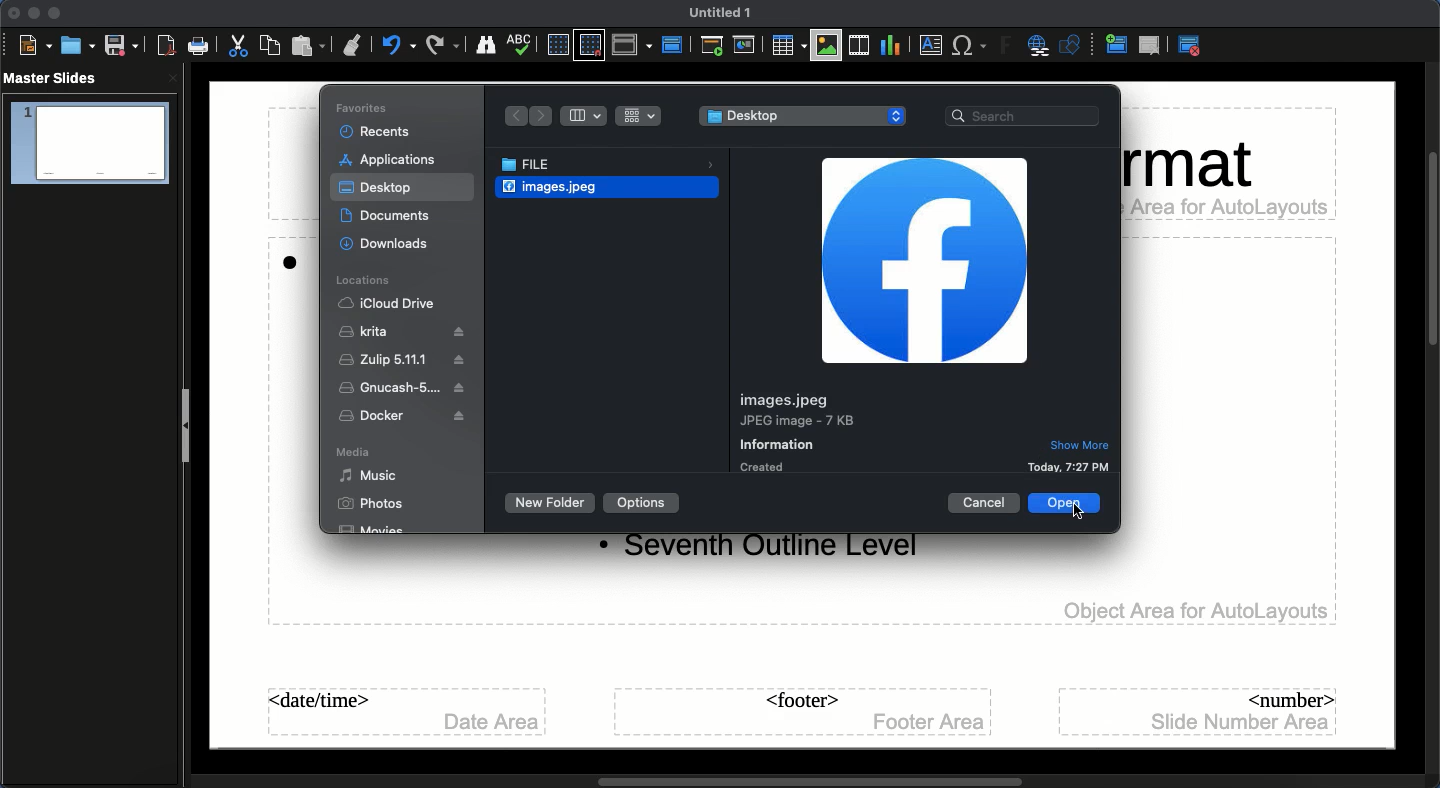 Image resolution: width=1440 pixels, height=788 pixels. I want to click on master slides, so click(52, 77).